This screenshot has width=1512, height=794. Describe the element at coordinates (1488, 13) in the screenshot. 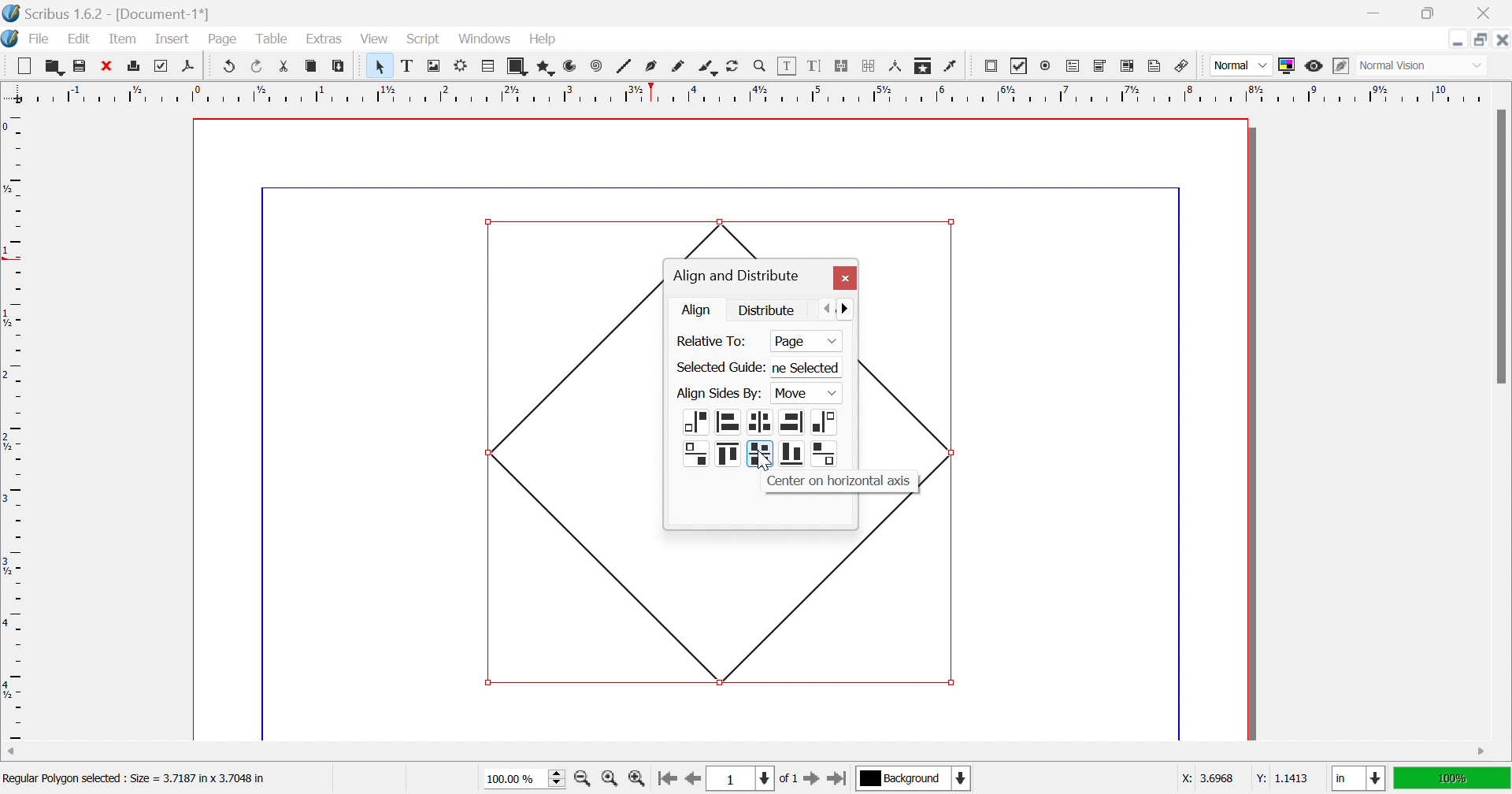

I see `Close` at that location.